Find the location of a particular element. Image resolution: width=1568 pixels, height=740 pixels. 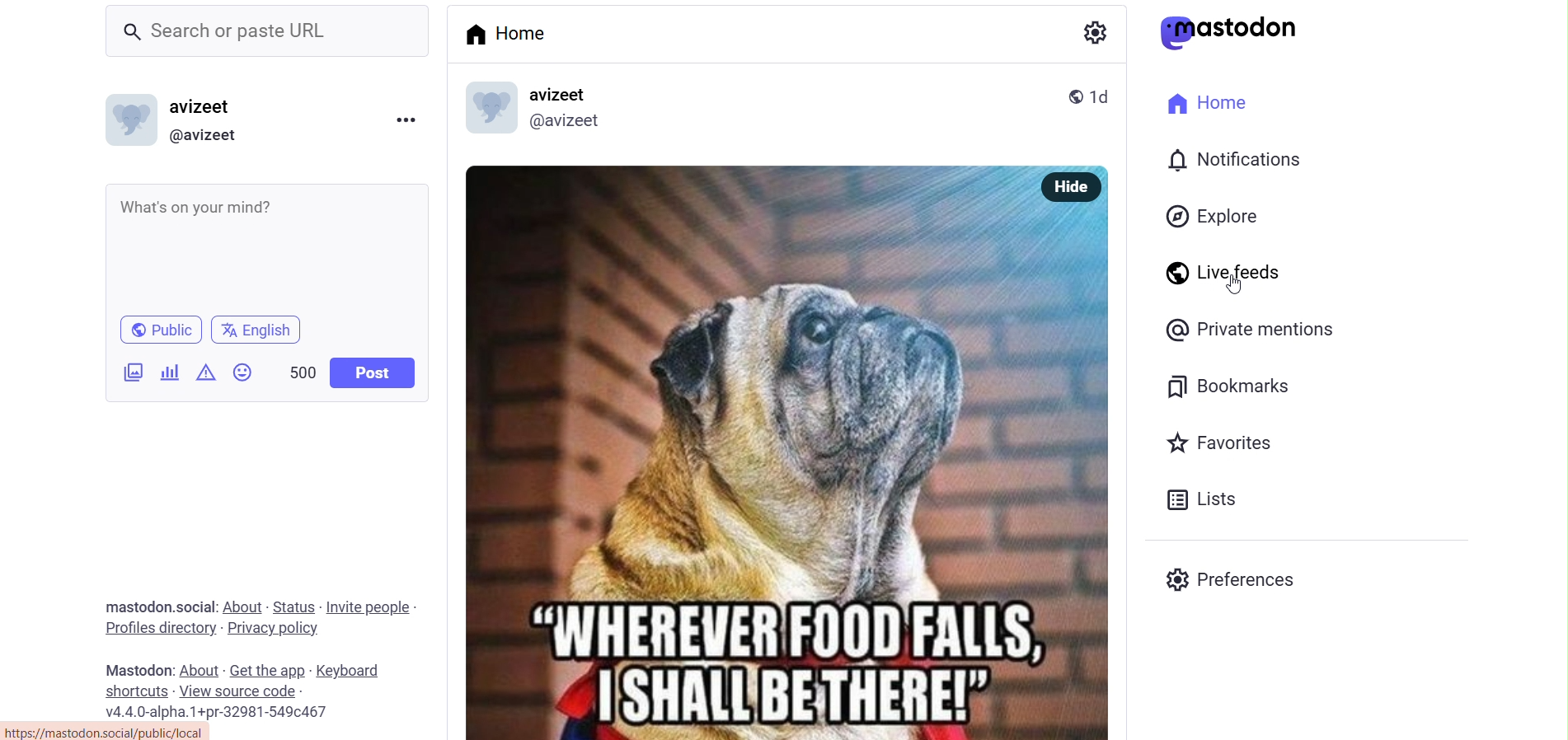

display picture is located at coordinates (489, 106).